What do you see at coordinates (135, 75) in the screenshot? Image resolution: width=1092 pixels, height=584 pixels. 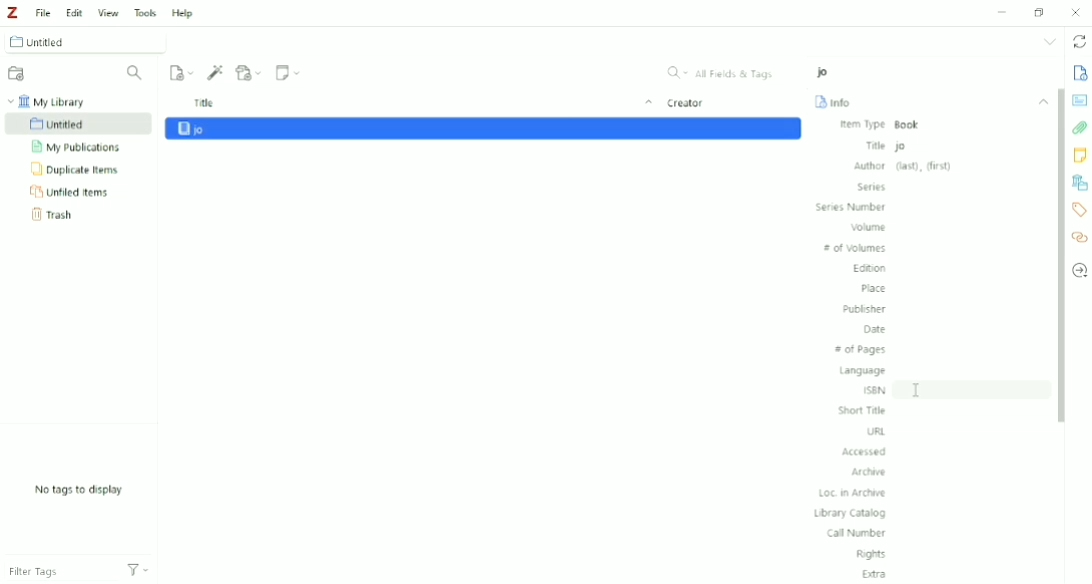 I see `Filter Collections` at bounding box center [135, 75].